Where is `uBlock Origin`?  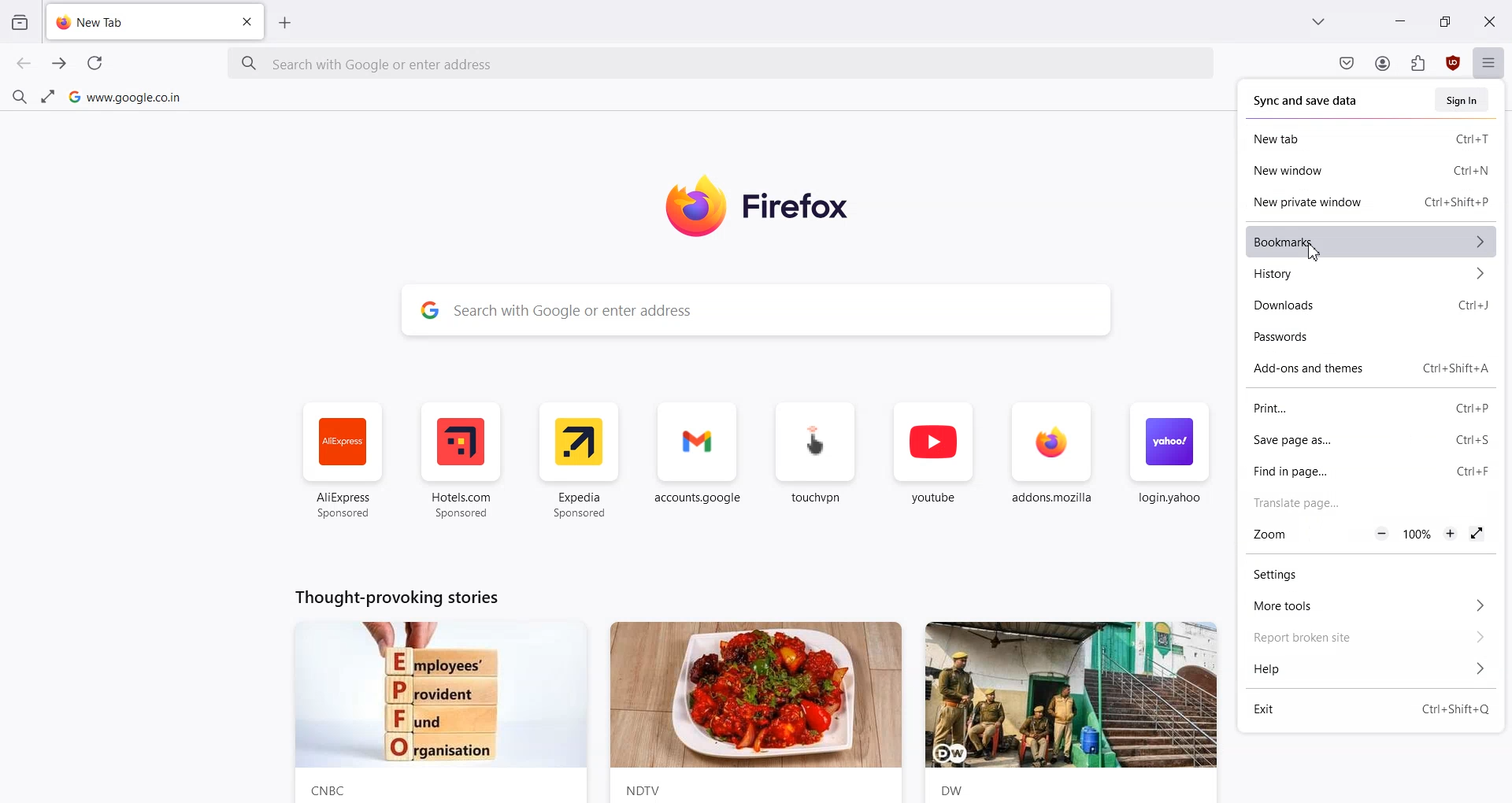
uBlock Origin is located at coordinates (1452, 63).